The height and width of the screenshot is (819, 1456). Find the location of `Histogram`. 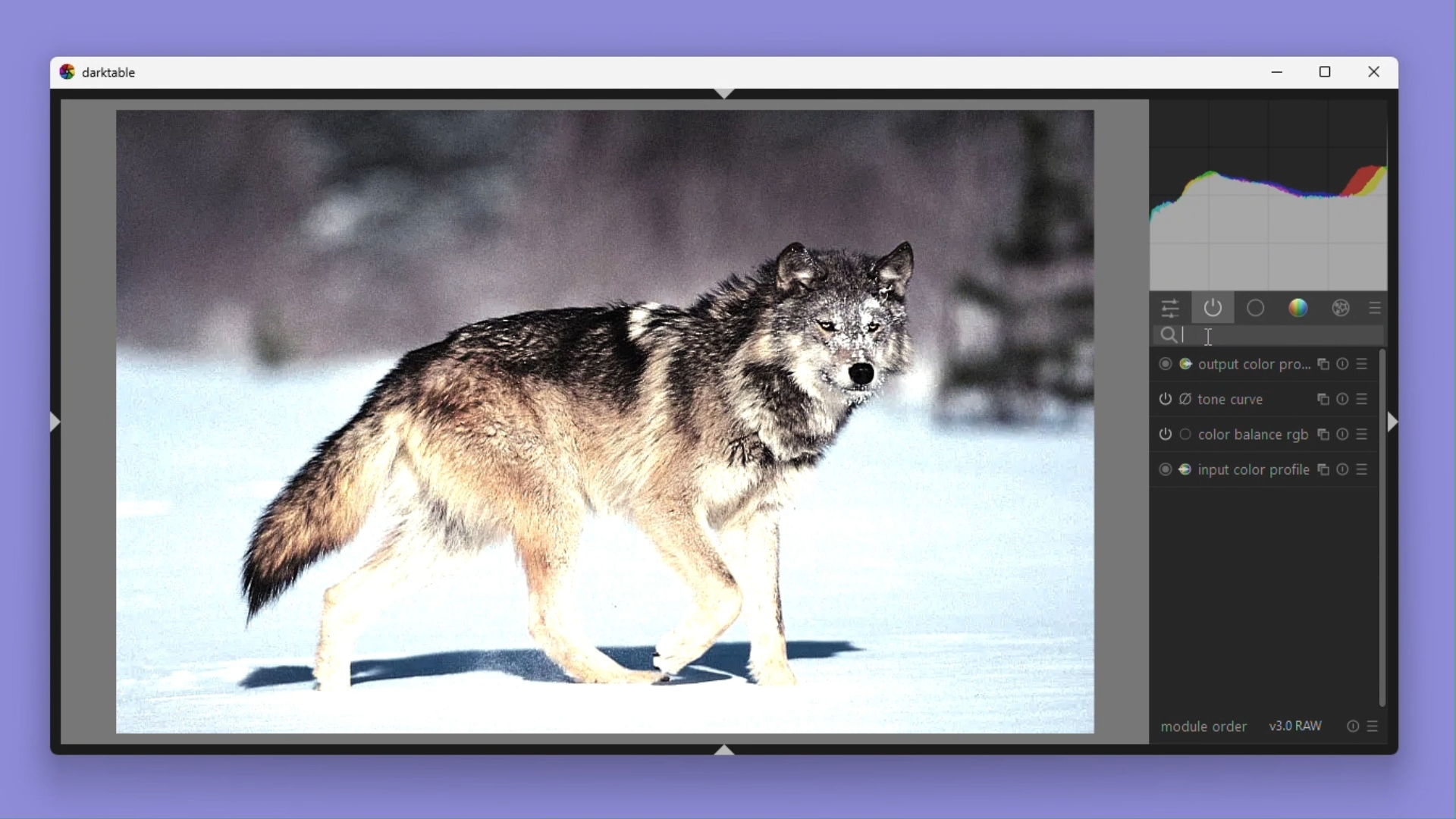

Histogram is located at coordinates (1273, 192).